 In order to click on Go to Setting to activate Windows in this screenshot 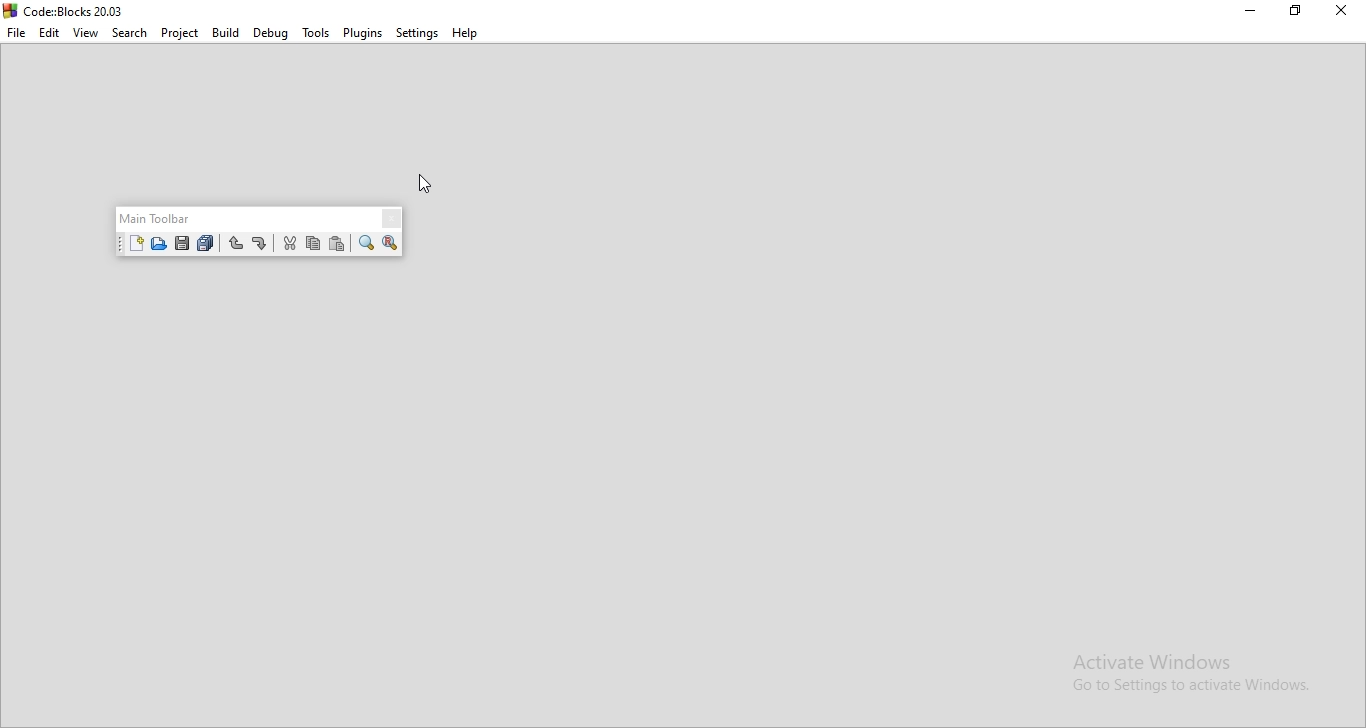, I will do `click(1189, 688)`.